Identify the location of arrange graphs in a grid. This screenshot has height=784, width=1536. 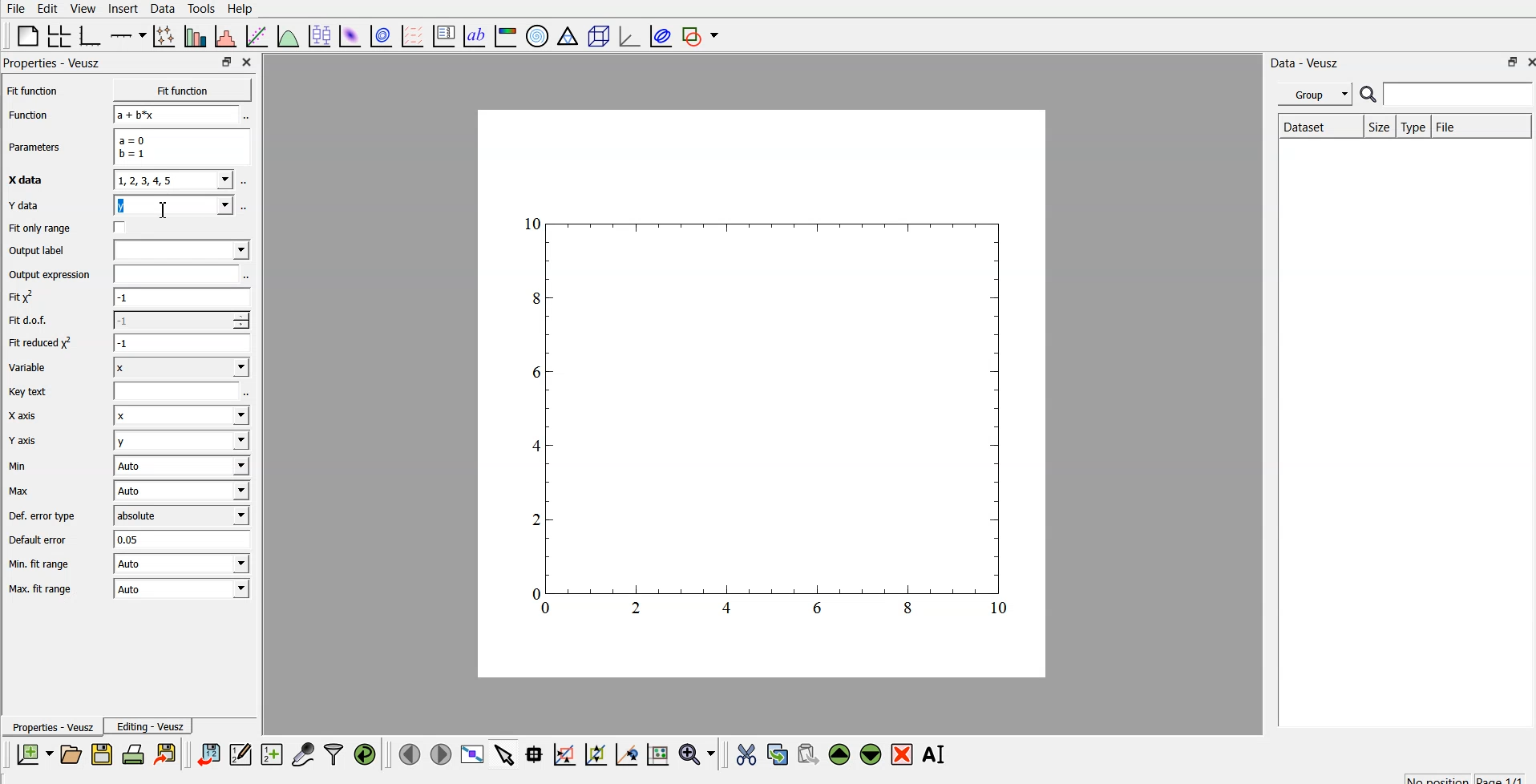
(59, 34).